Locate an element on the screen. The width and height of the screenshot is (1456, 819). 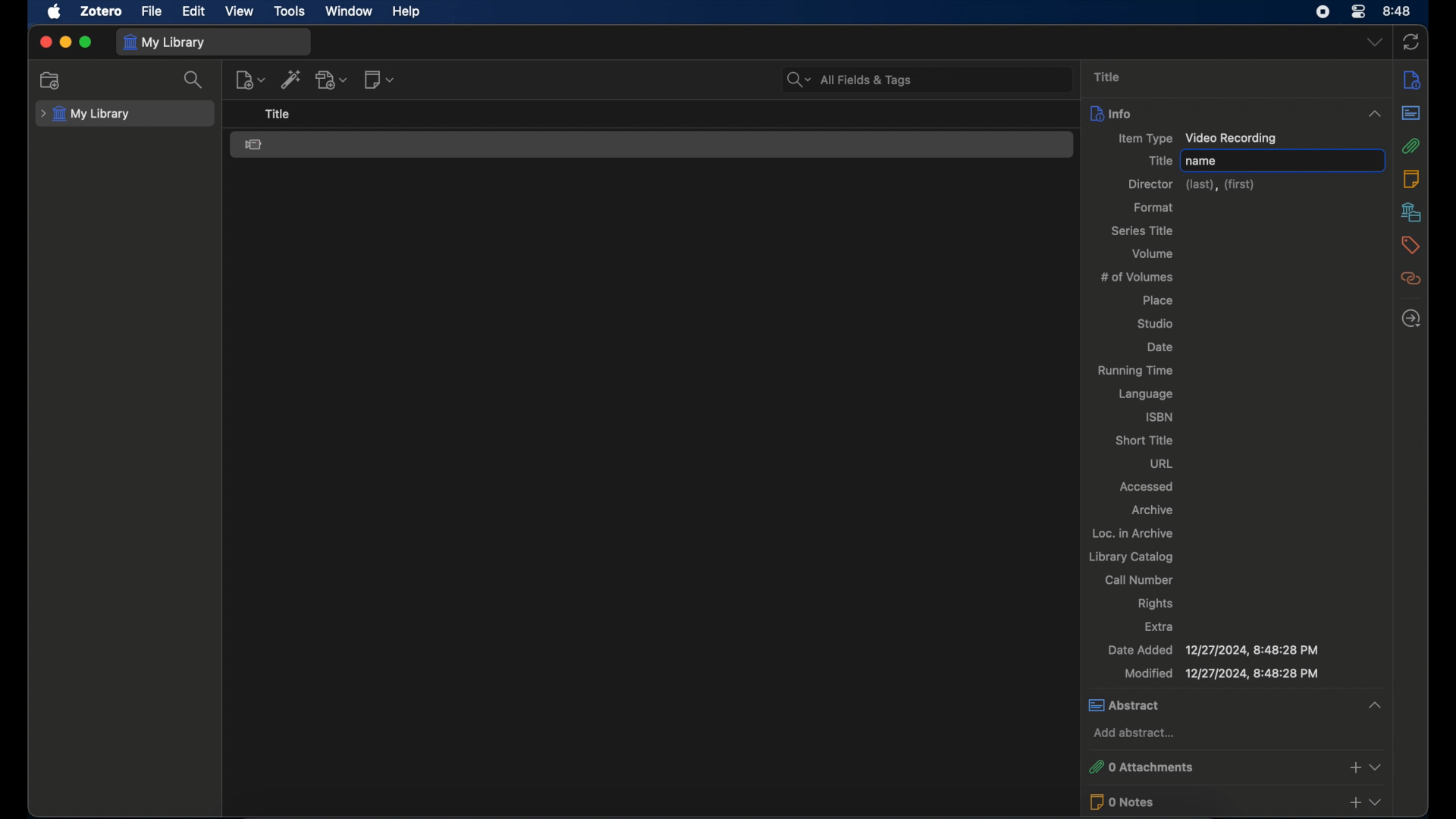
add attachment is located at coordinates (332, 79).